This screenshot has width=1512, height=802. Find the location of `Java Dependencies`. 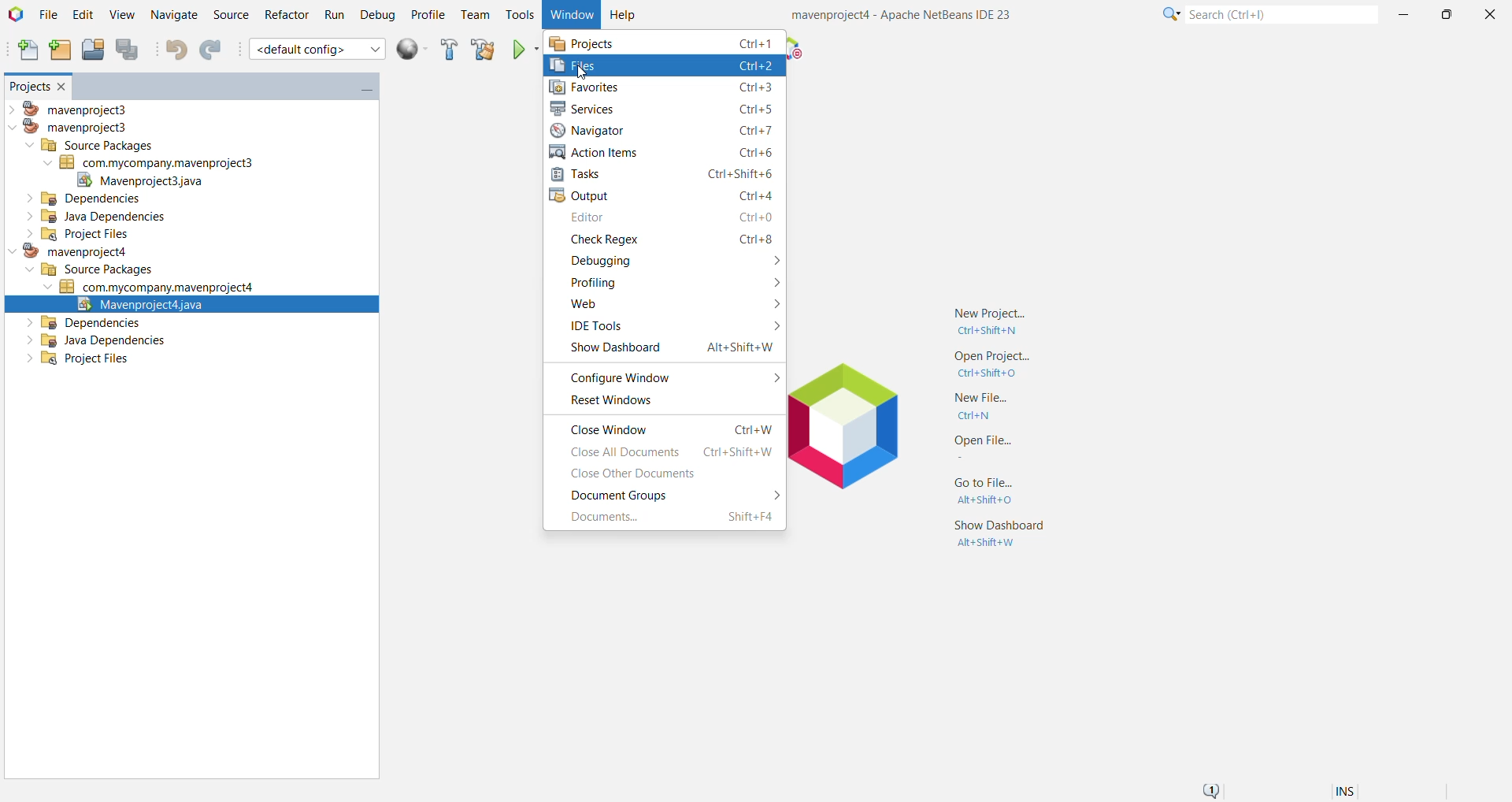

Java Dependencies is located at coordinates (91, 217).